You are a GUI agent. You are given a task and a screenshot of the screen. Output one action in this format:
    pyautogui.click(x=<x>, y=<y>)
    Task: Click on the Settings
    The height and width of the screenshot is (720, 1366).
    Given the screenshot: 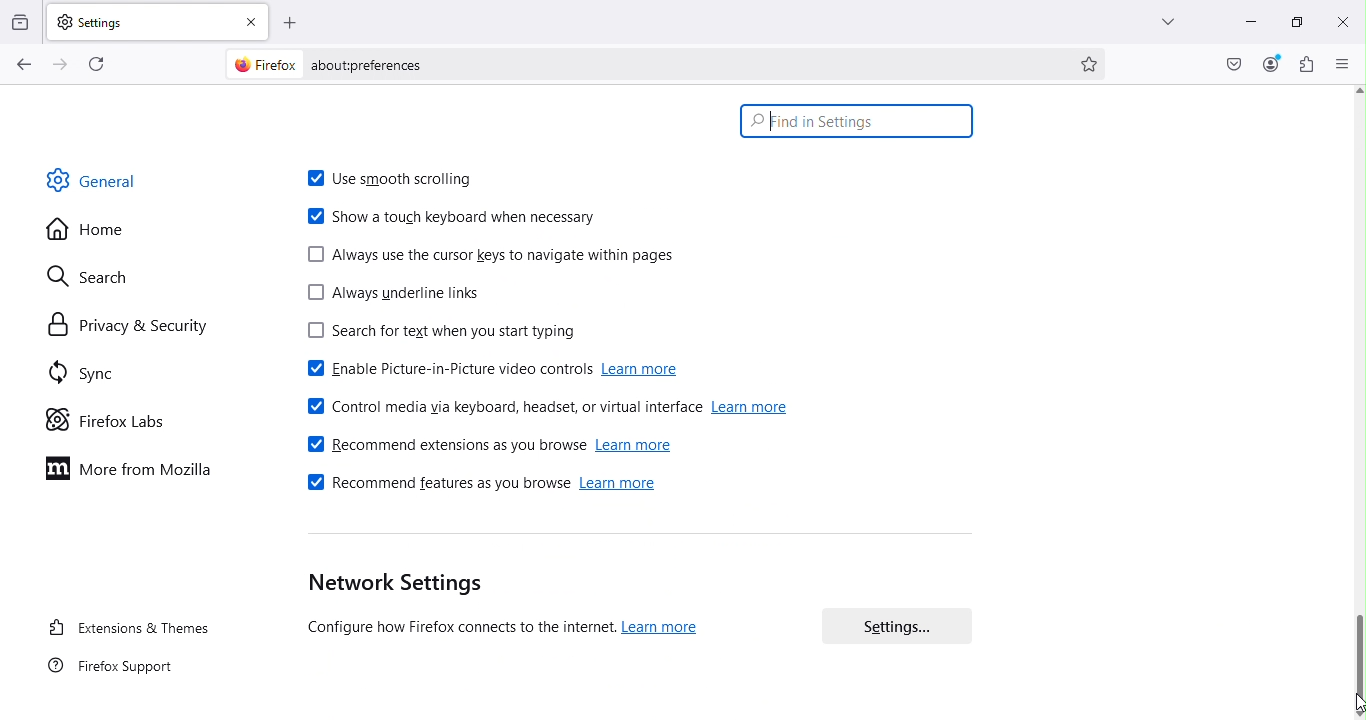 What is the action you would take?
    pyautogui.click(x=894, y=626)
    